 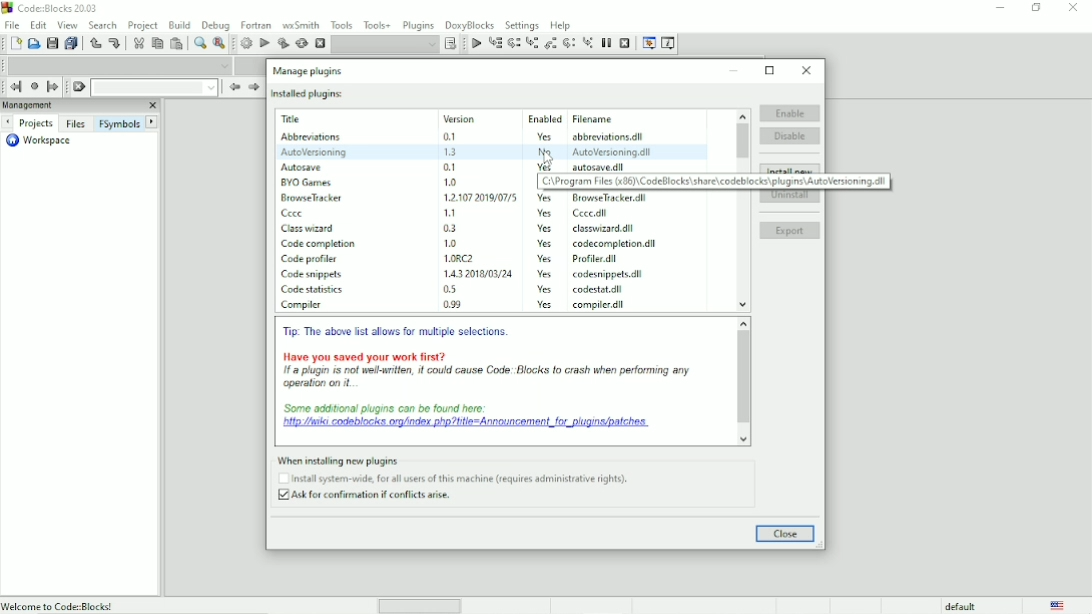 What do you see at coordinates (599, 260) in the screenshot?
I see `file` at bounding box center [599, 260].